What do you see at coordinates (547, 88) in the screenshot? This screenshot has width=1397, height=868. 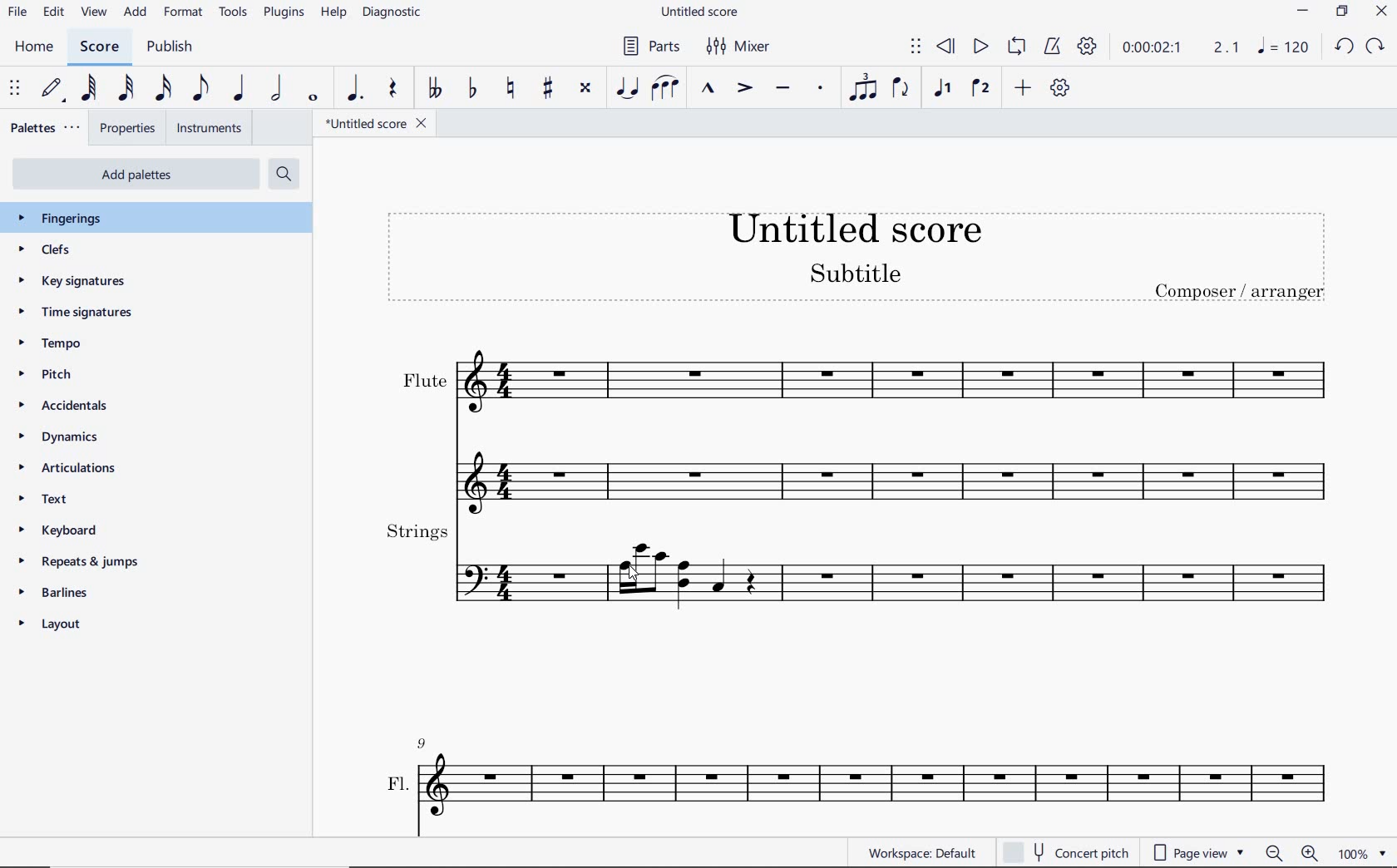 I see `toggle sharp` at bounding box center [547, 88].